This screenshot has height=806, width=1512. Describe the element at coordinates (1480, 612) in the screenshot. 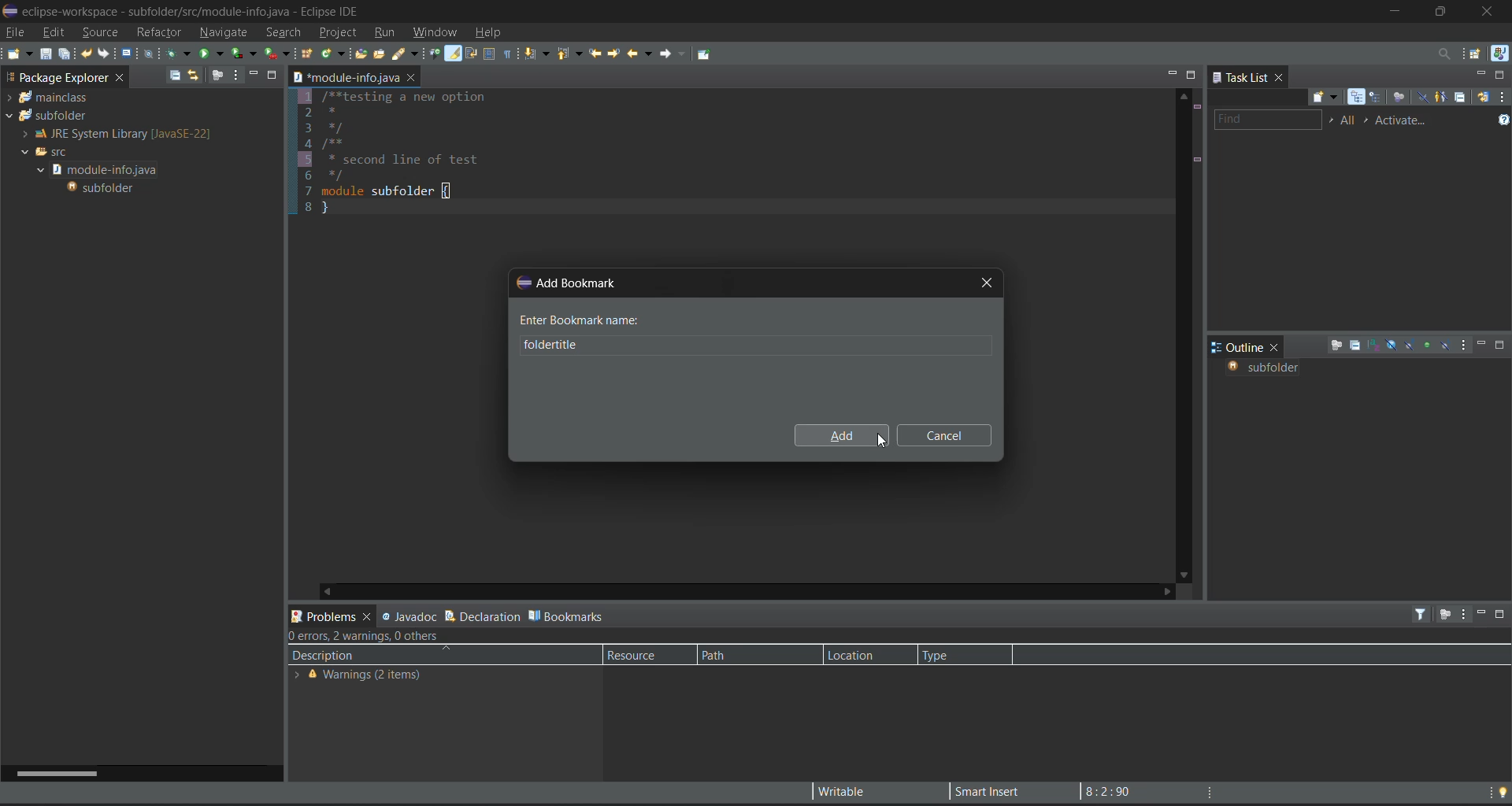

I see `minimize` at that location.